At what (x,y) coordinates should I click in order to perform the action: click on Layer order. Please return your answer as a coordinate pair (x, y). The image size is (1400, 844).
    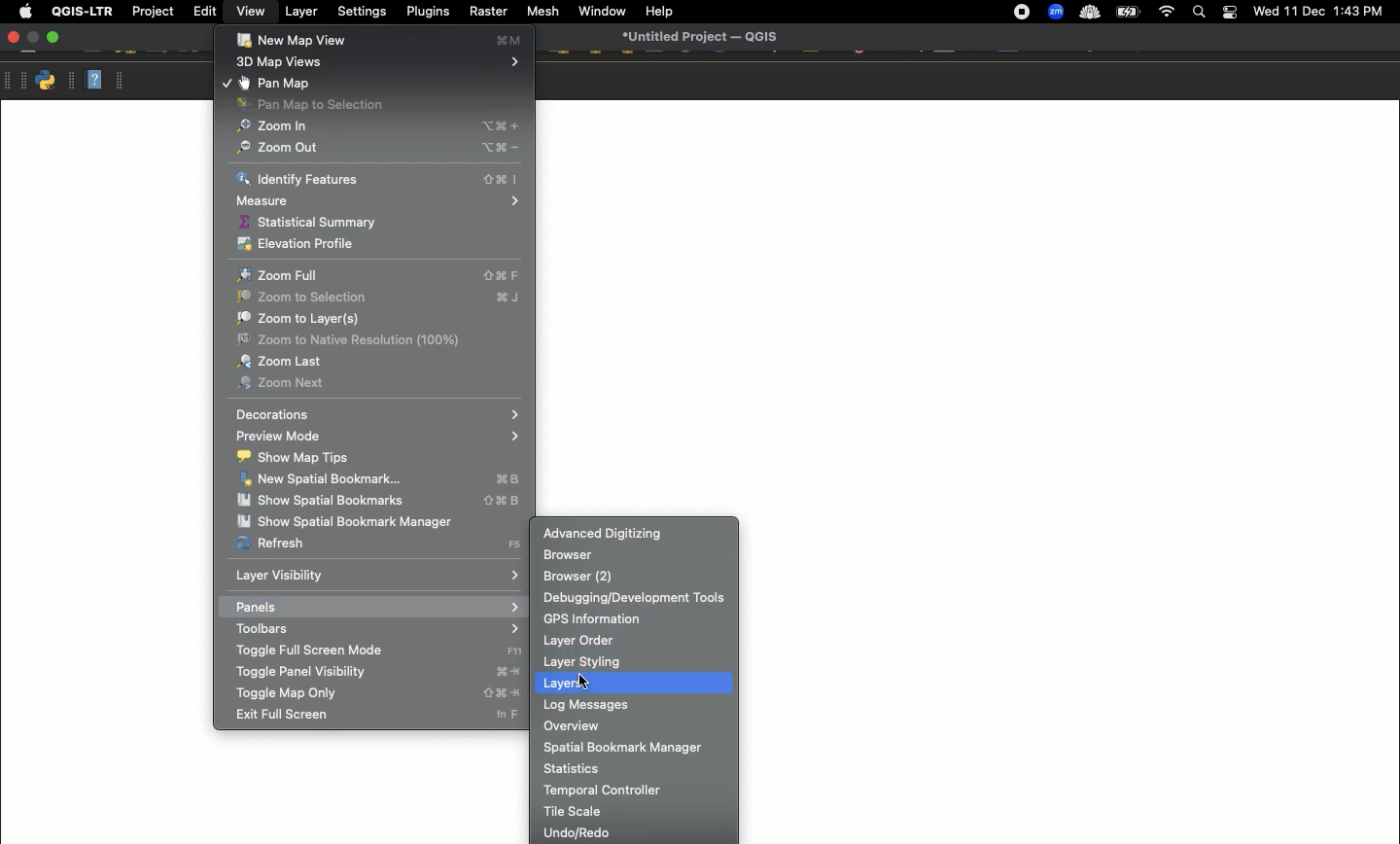
    Looking at the image, I should click on (637, 641).